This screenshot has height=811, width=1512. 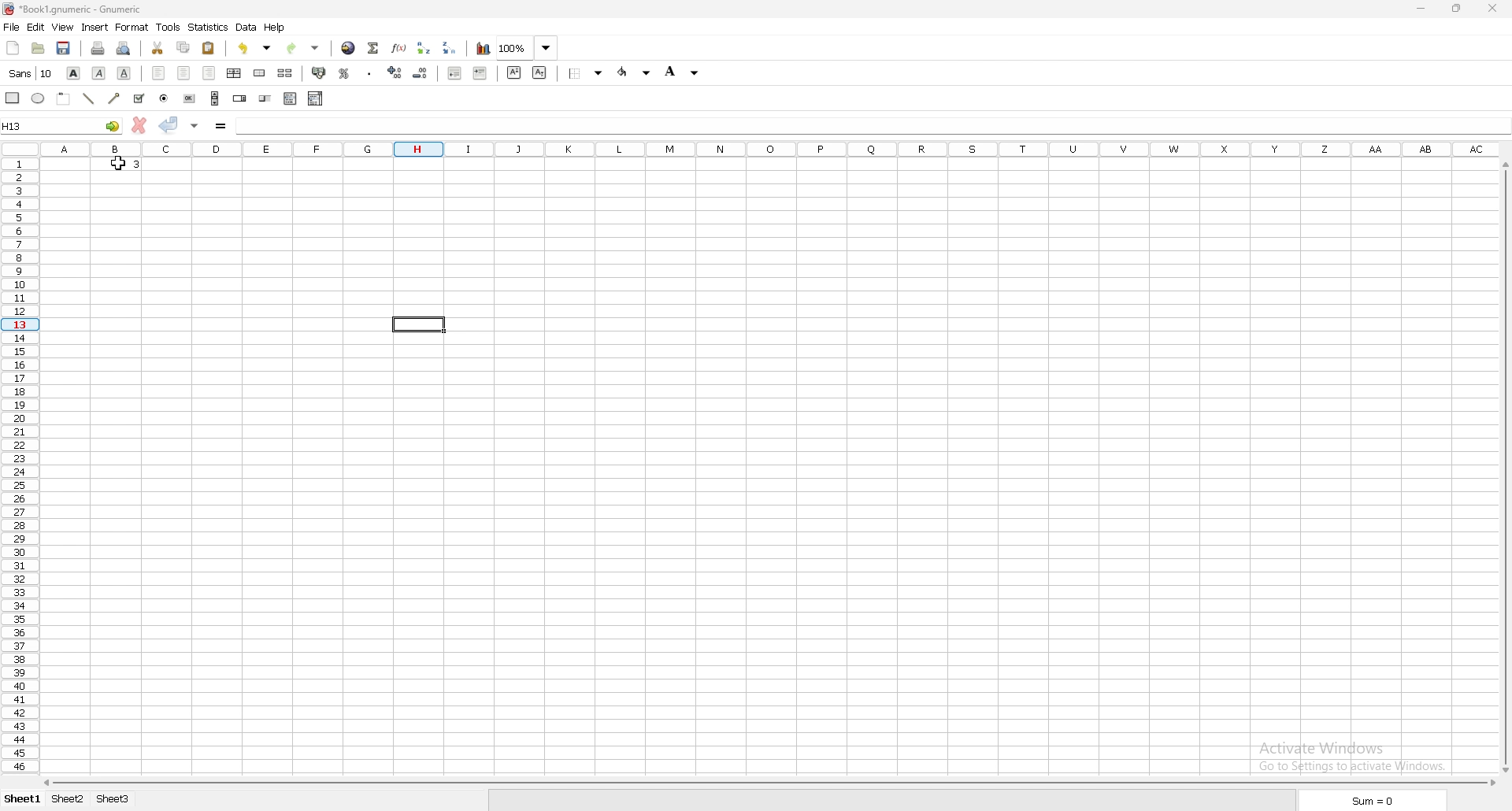 I want to click on rectangle, so click(x=13, y=98).